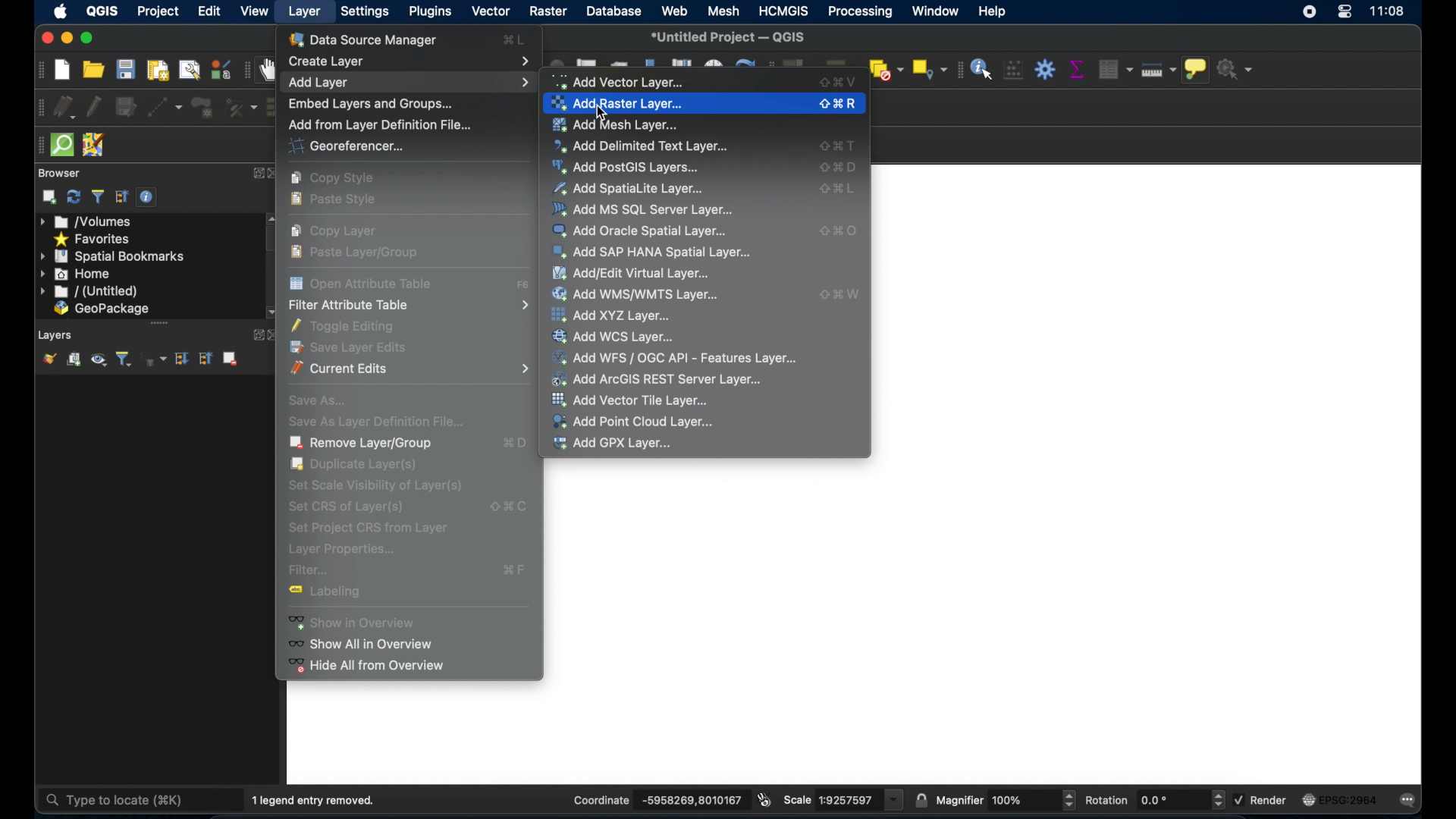  I want to click on , so click(839, 168).